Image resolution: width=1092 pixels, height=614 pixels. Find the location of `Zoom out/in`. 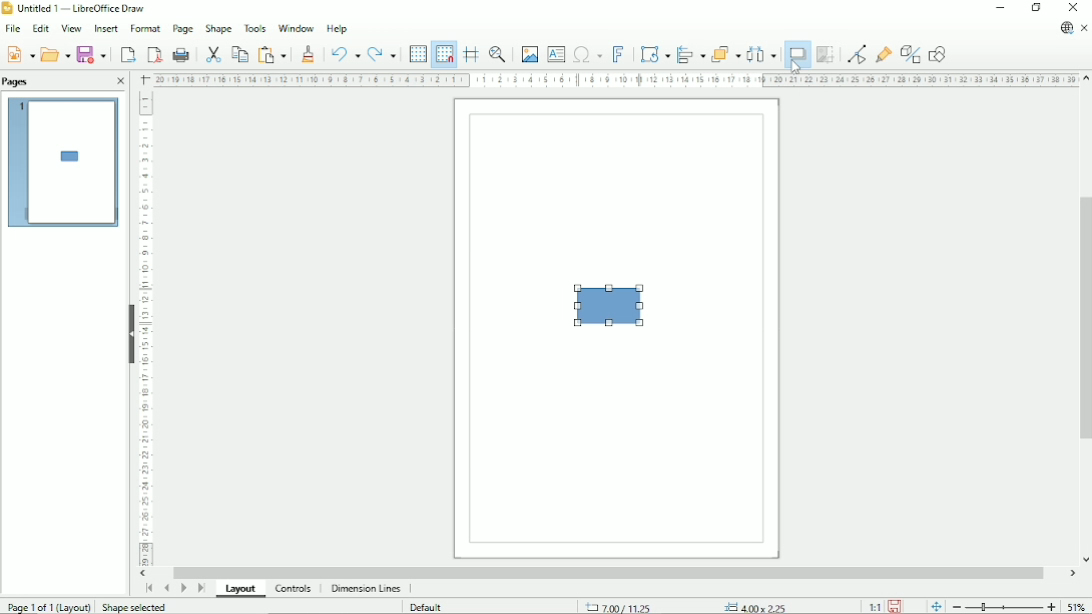

Zoom out/in is located at coordinates (1004, 604).